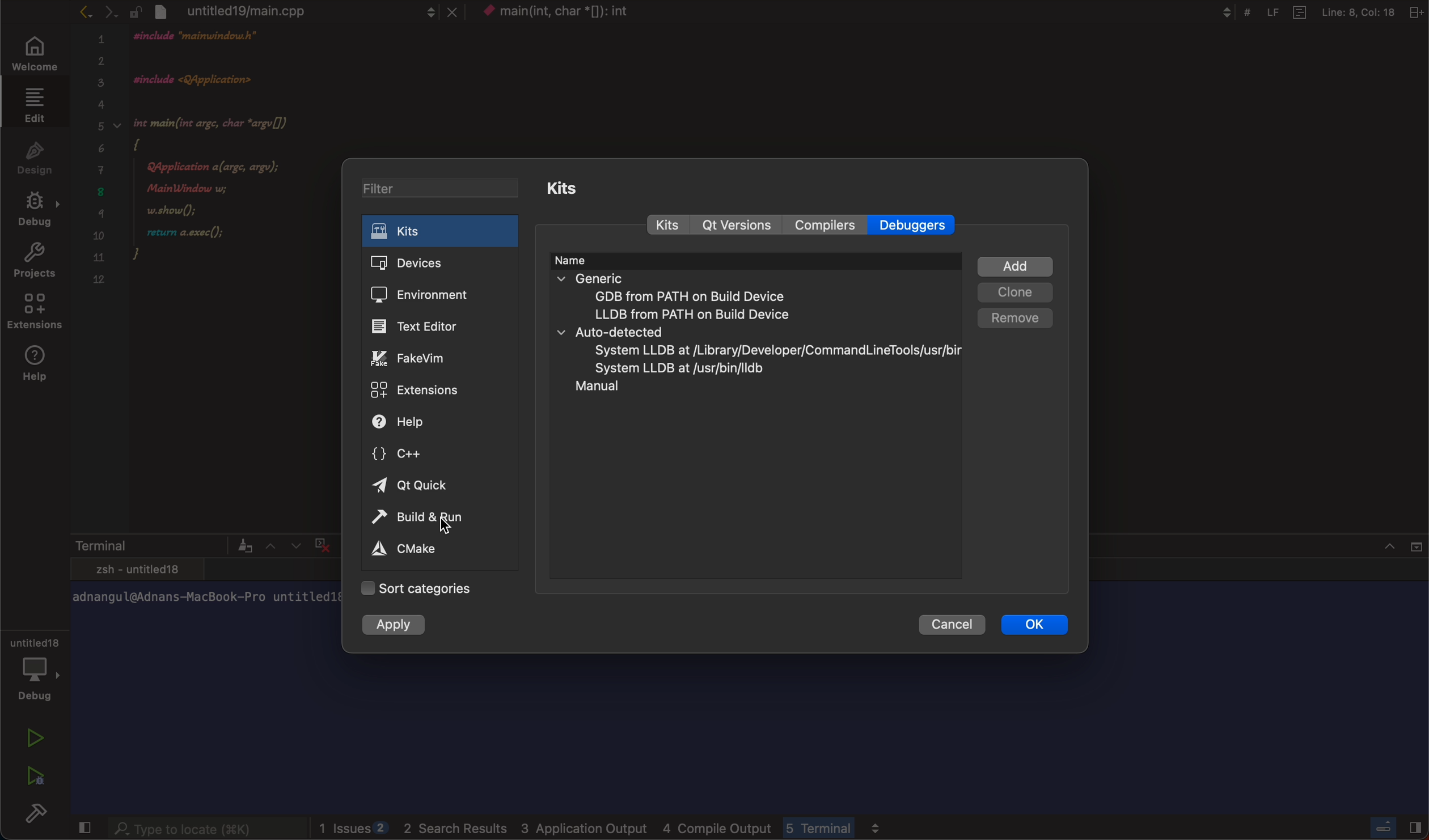  What do you see at coordinates (1313, 11) in the screenshot?
I see `` at bounding box center [1313, 11].